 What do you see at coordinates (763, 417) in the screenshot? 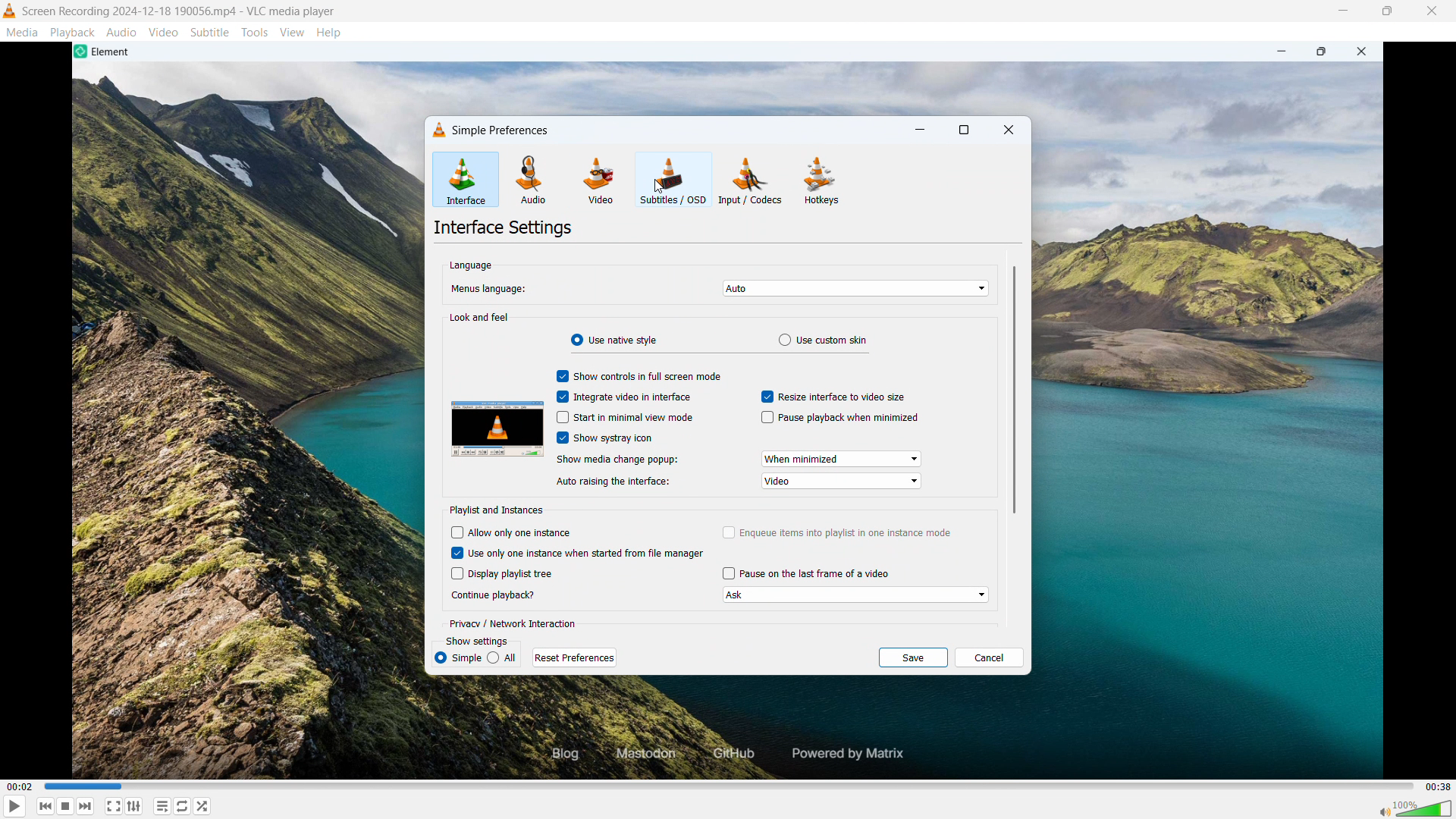
I see `checkbox` at bounding box center [763, 417].